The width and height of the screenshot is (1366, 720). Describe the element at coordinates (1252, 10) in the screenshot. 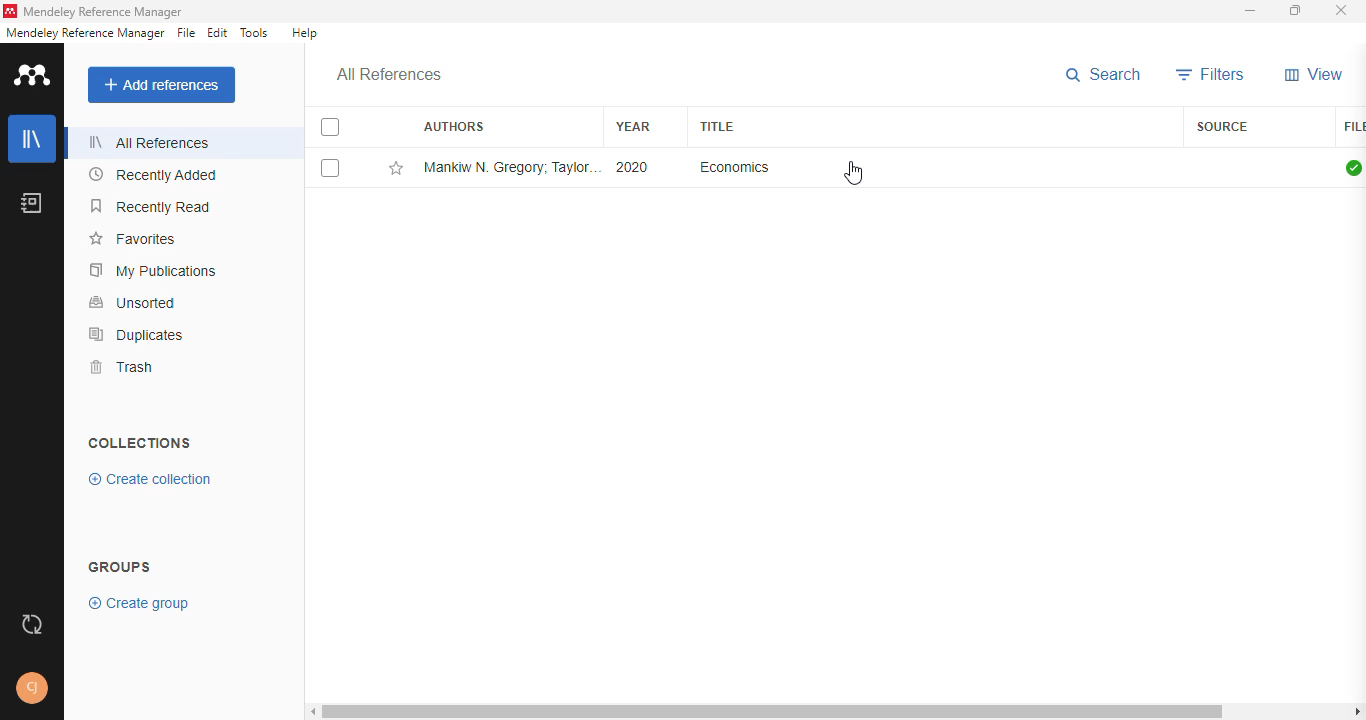

I see `minimize` at that location.